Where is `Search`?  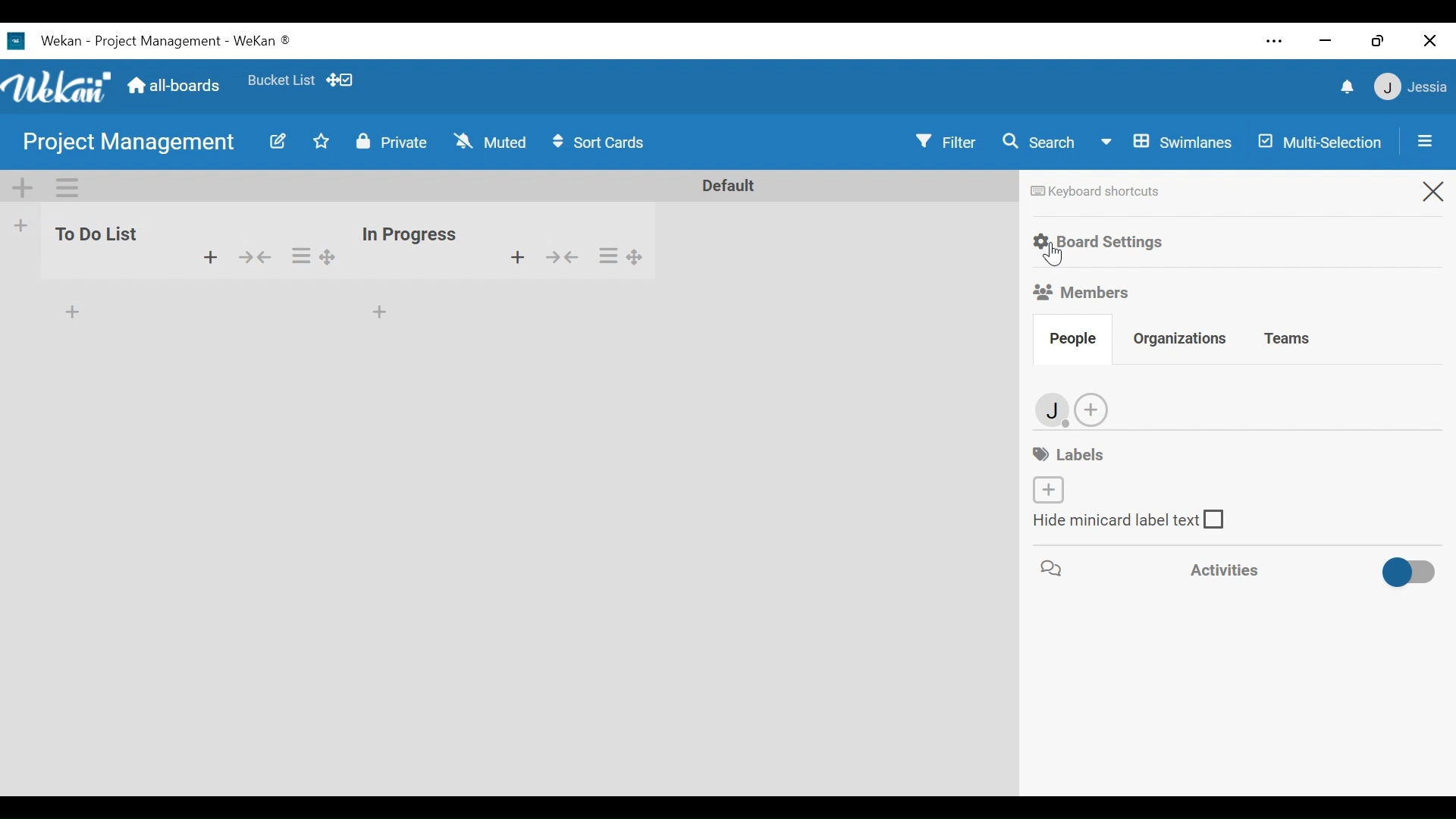
Search is located at coordinates (1044, 142).